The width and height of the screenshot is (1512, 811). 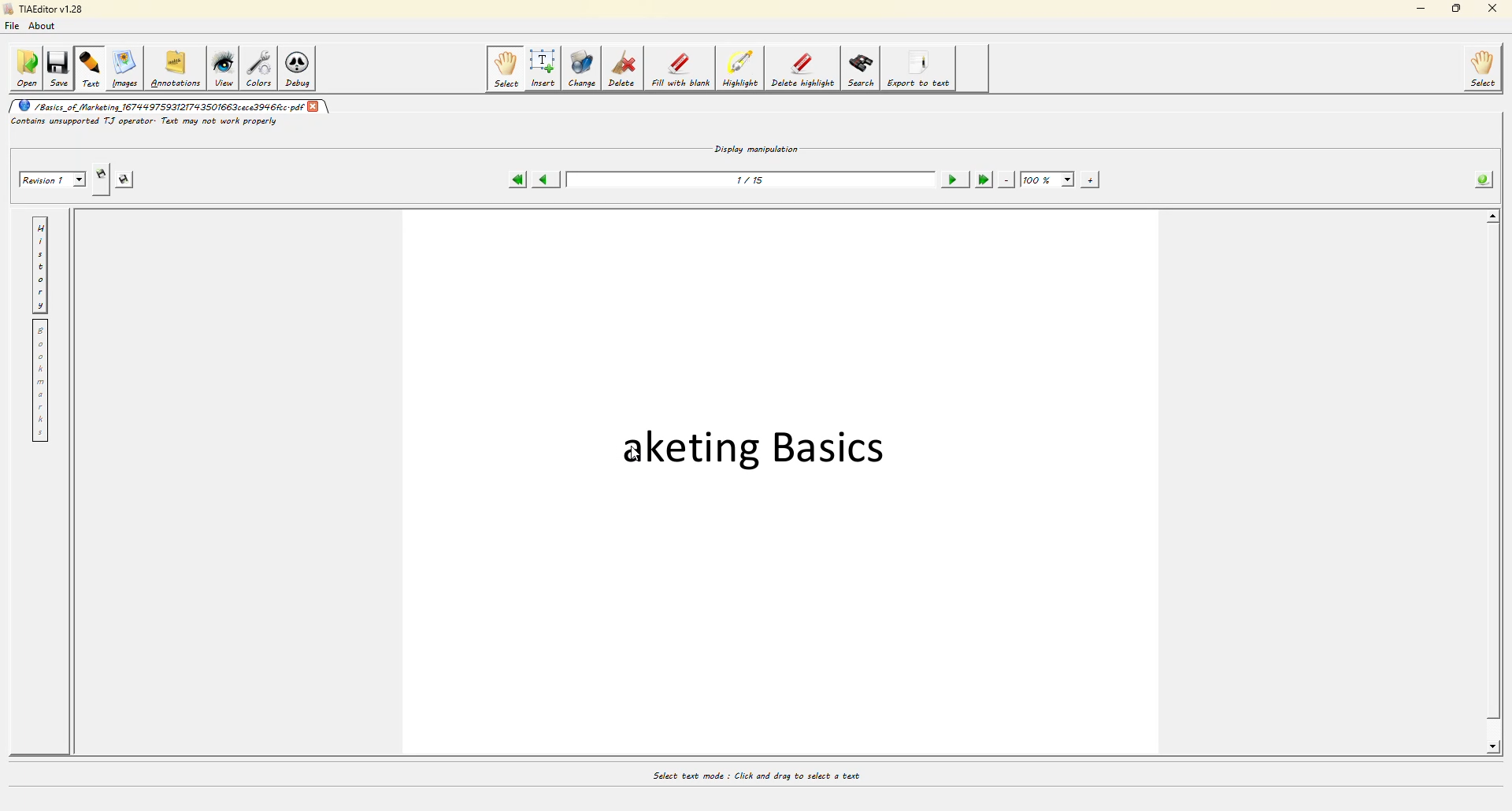 I want to click on colors, so click(x=261, y=69).